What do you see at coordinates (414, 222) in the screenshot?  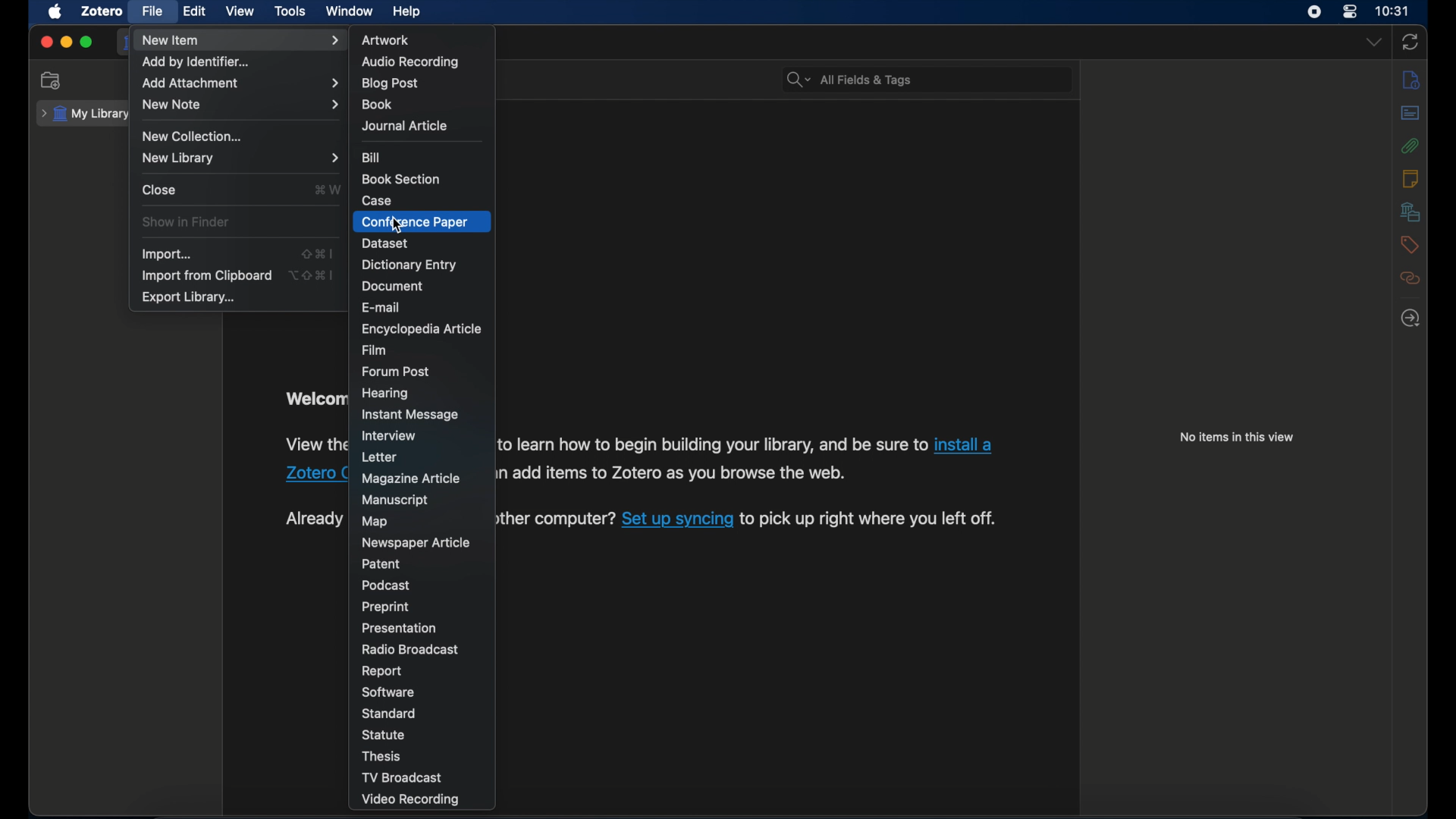 I see `conference paper` at bounding box center [414, 222].